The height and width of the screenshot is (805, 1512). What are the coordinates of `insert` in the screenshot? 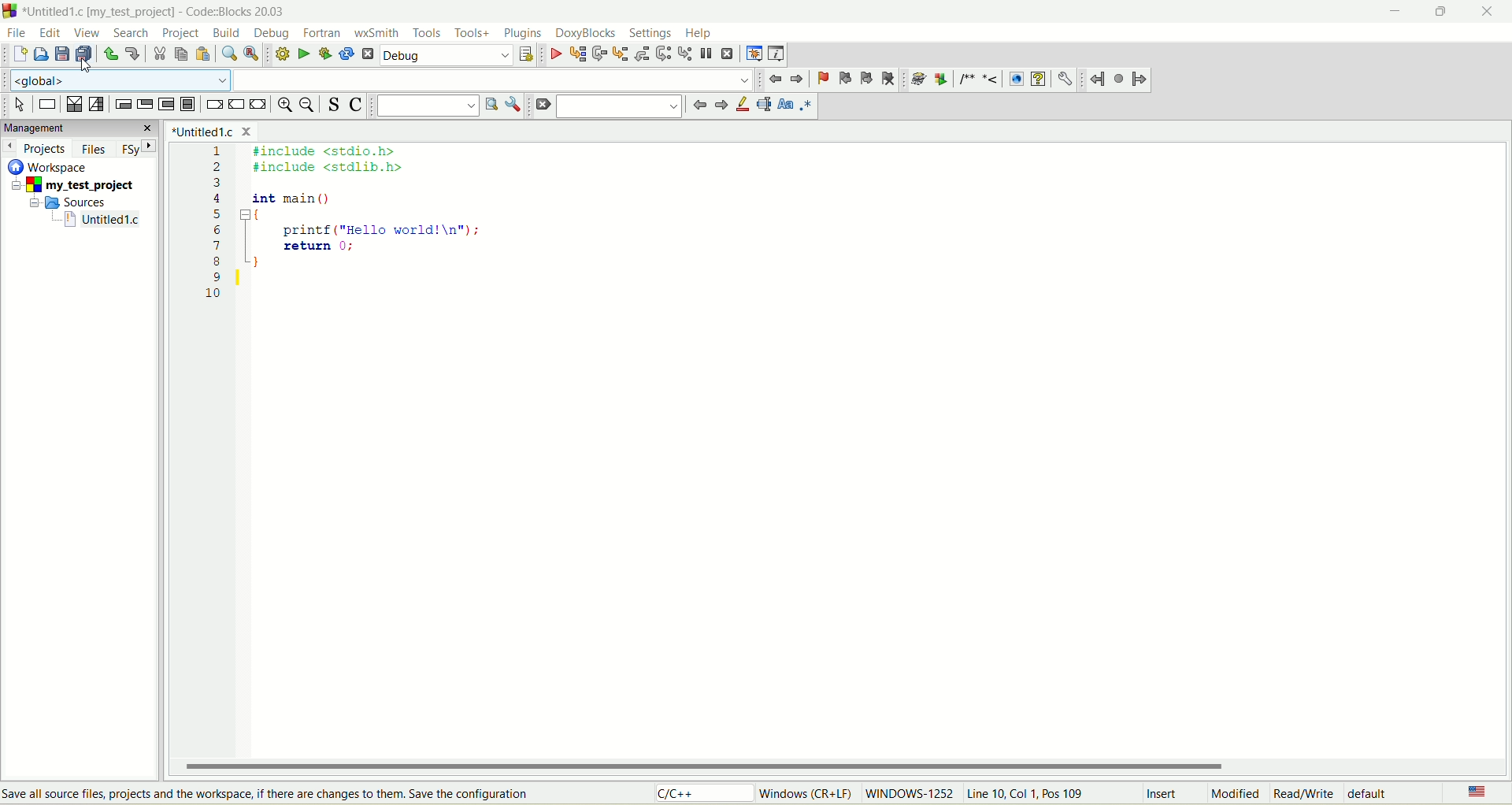 It's located at (1157, 793).